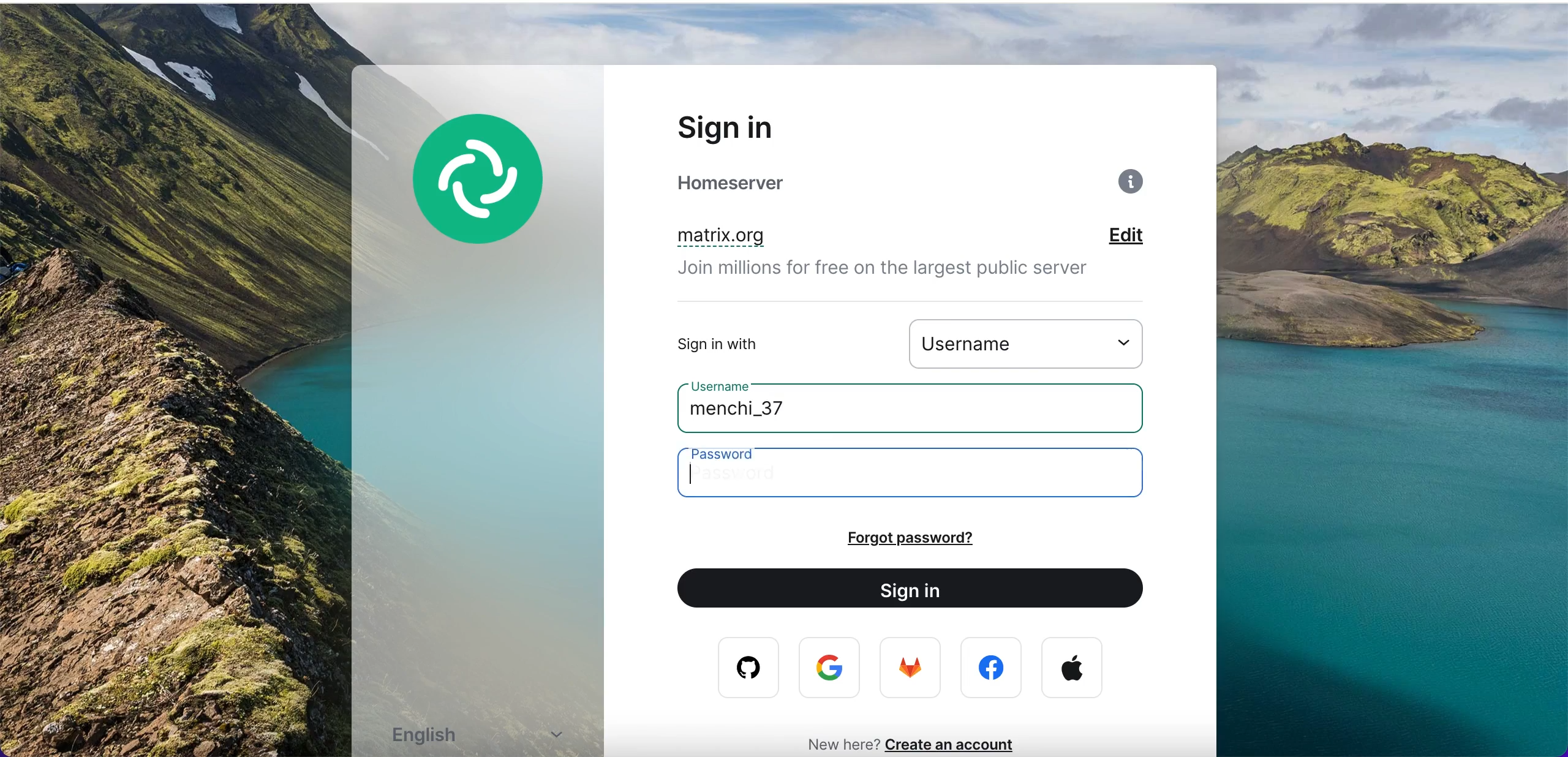 The image size is (1568, 757). Describe the element at coordinates (761, 183) in the screenshot. I see `homeserver` at that location.